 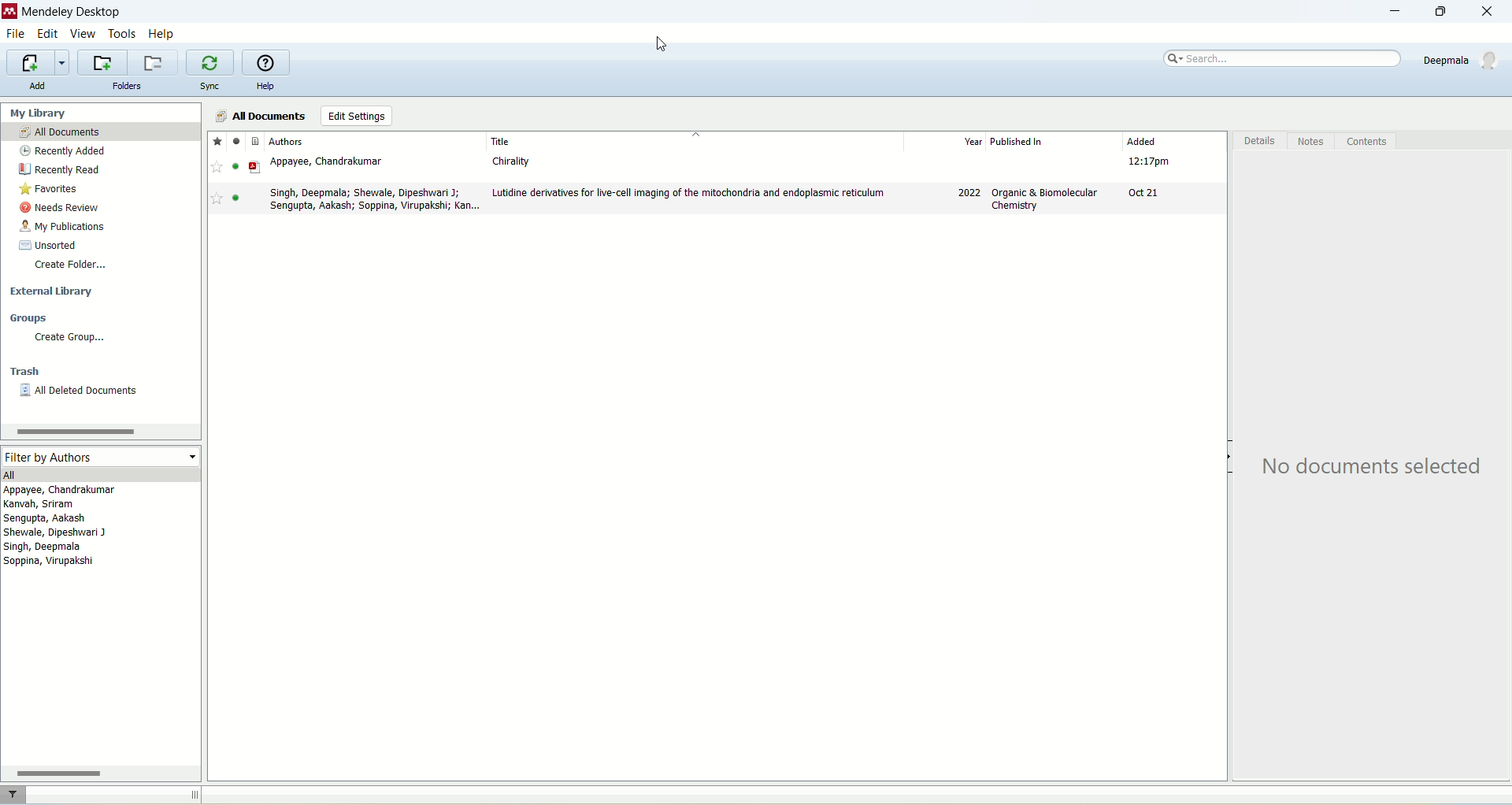 What do you see at coordinates (211, 86) in the screenshot?
I see `sync` at bounding box center [211, 86].